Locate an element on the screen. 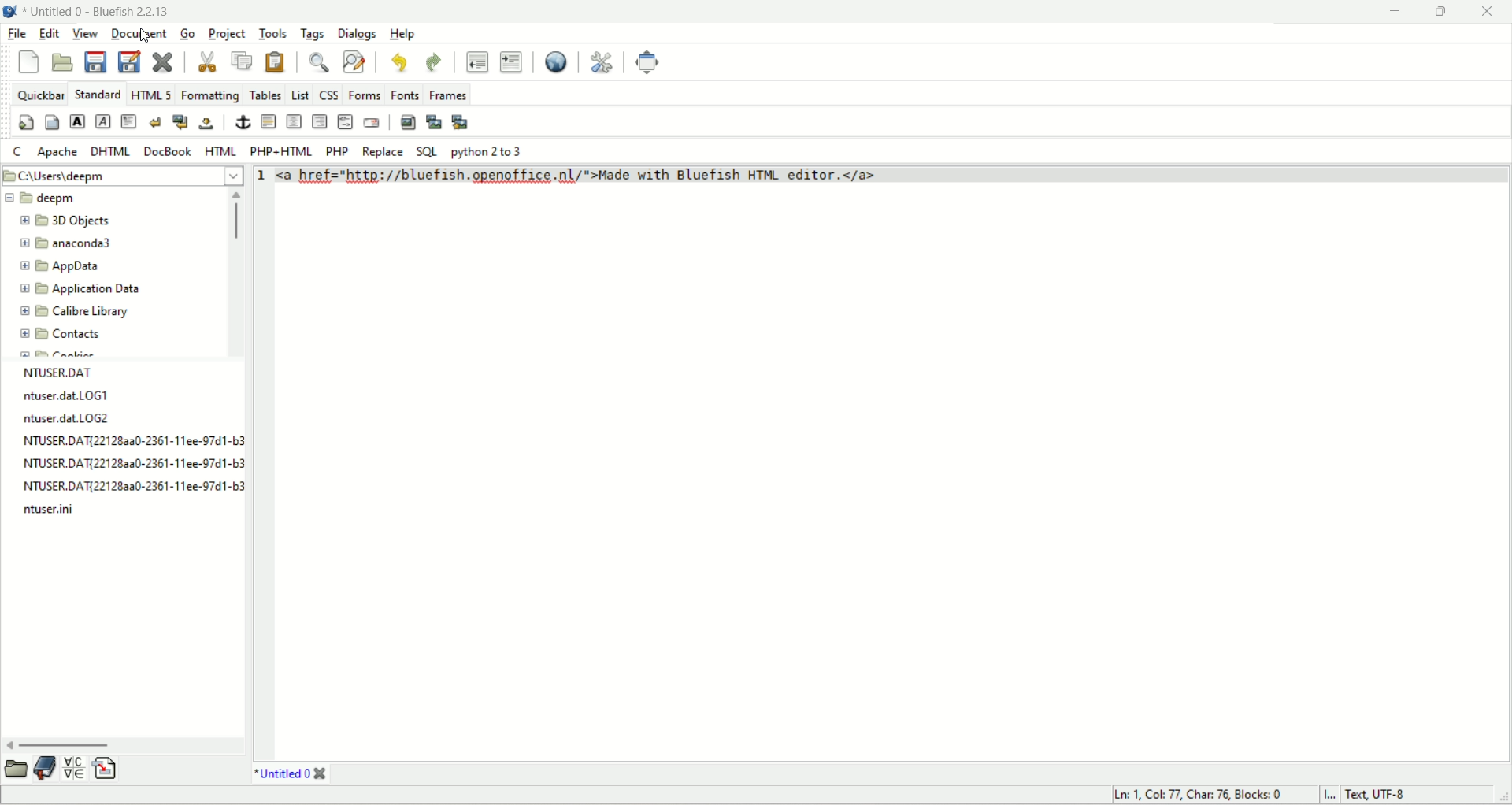 The height and width of the screenshot is (805, 1512). tools is located at coordinates (272, 33).